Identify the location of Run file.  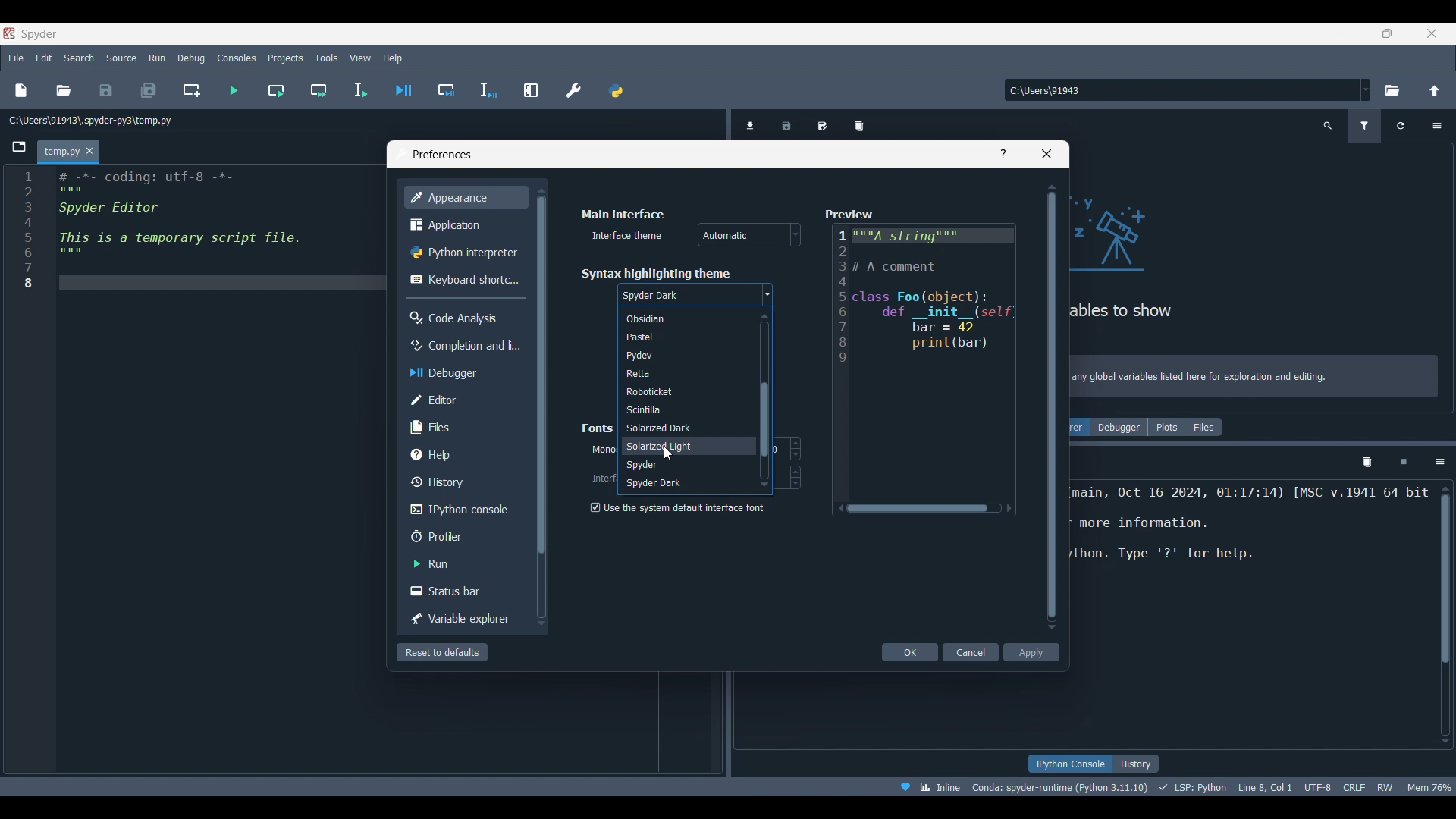
(234, 90).